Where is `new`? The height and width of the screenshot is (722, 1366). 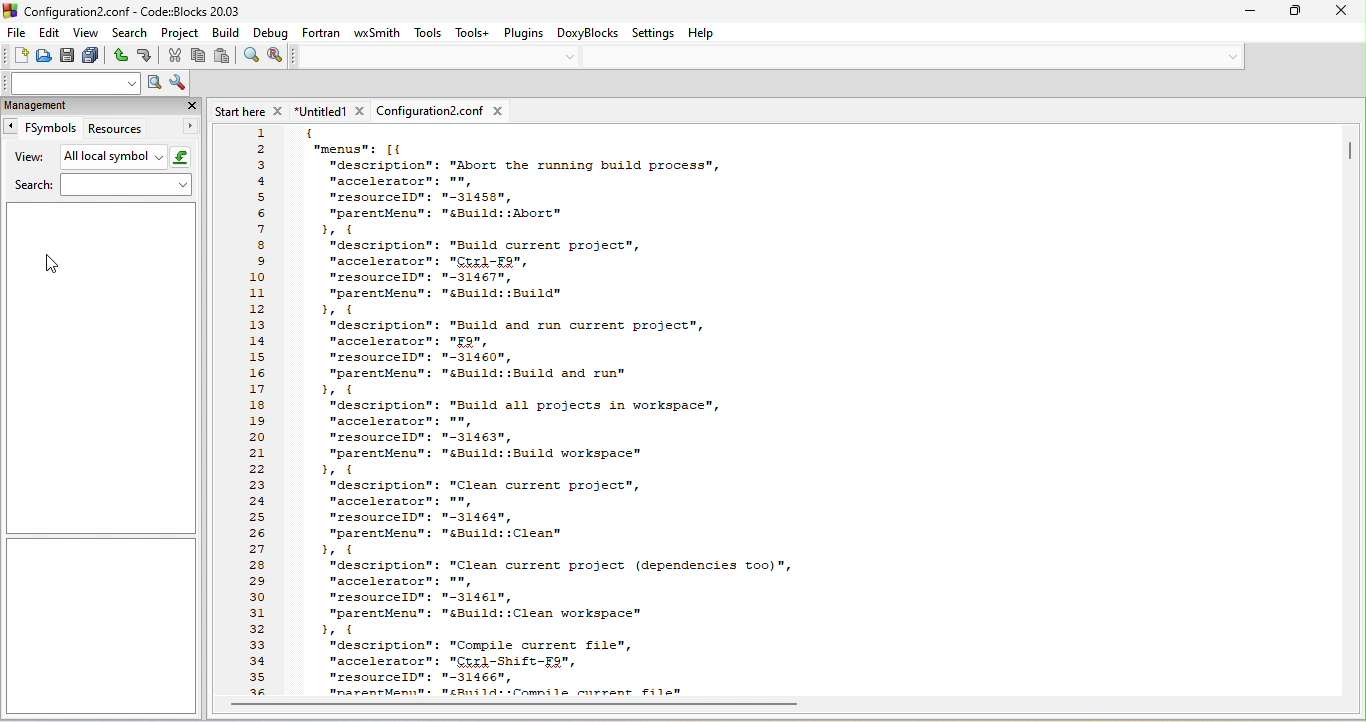 new is located at coordinates (16, 57).